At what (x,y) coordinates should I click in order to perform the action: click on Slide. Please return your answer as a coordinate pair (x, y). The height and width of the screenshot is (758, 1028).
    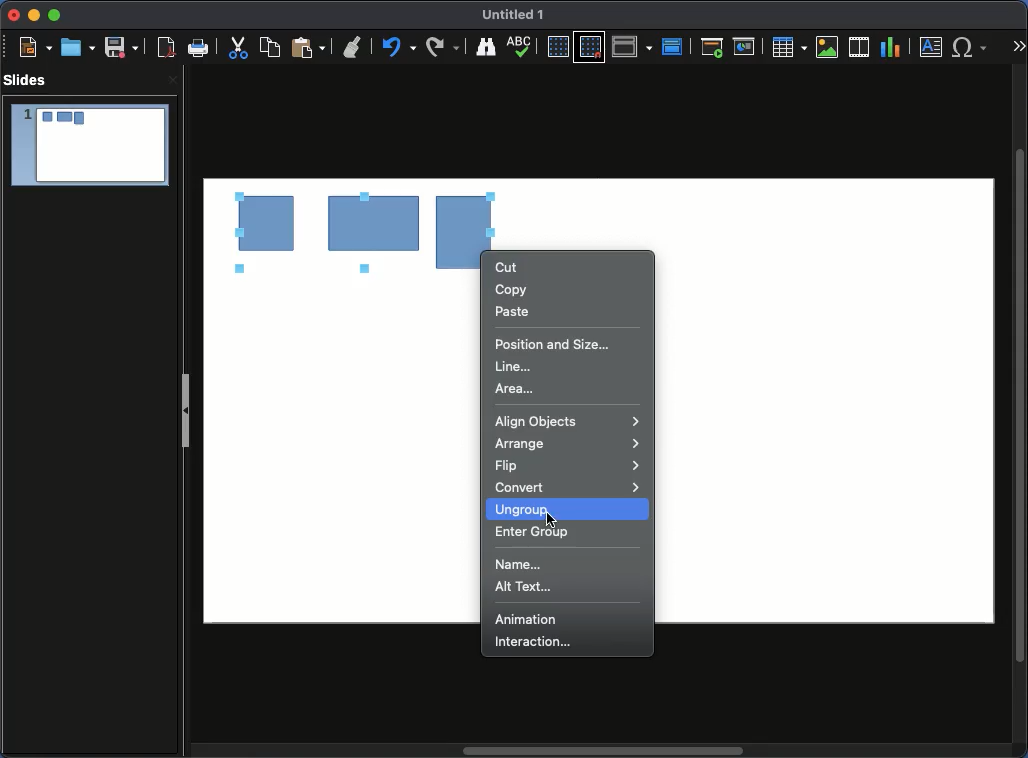
    Looking at the image, I should click on (89, 145).